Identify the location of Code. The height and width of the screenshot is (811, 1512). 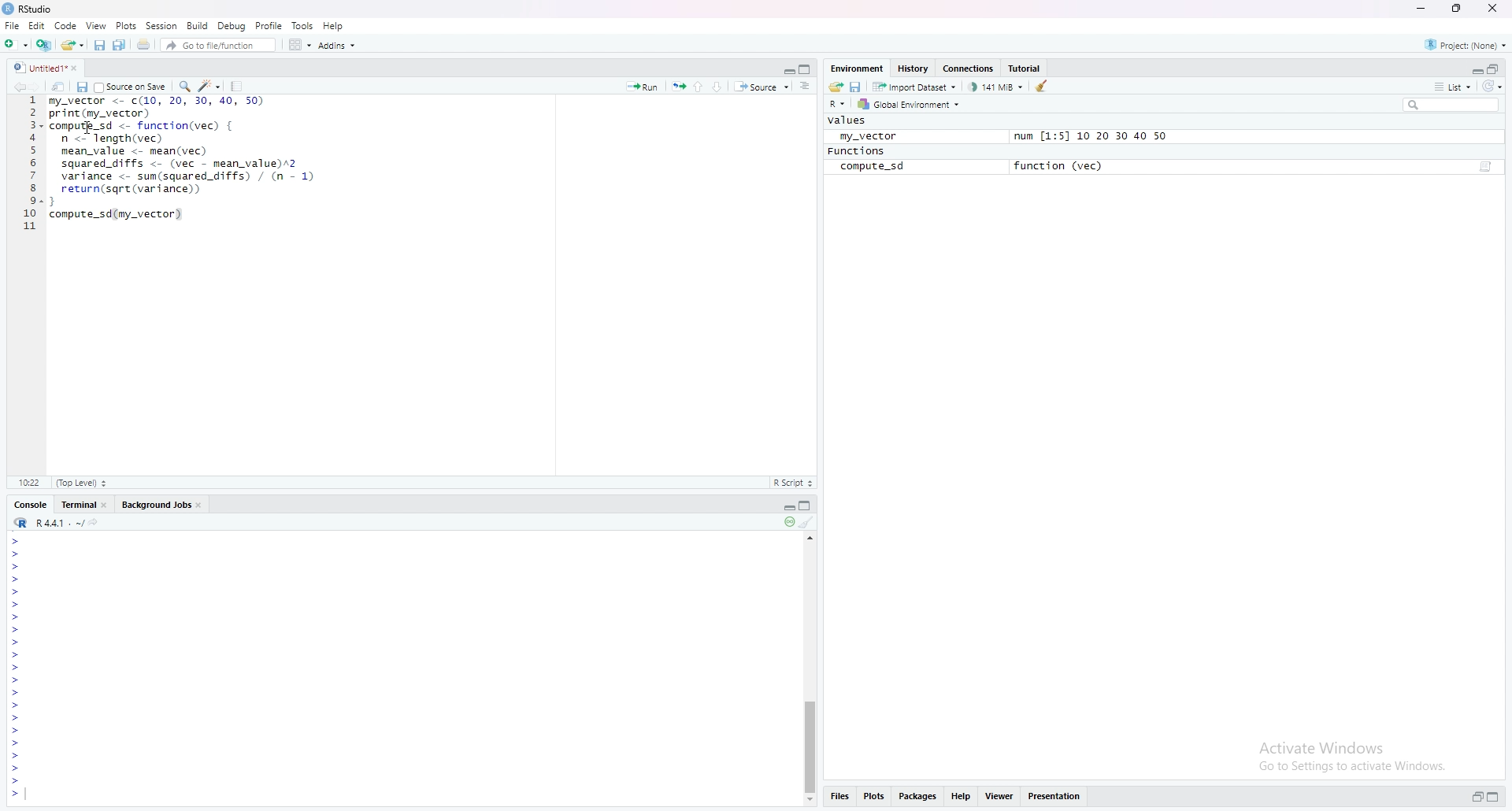
(68, 26).